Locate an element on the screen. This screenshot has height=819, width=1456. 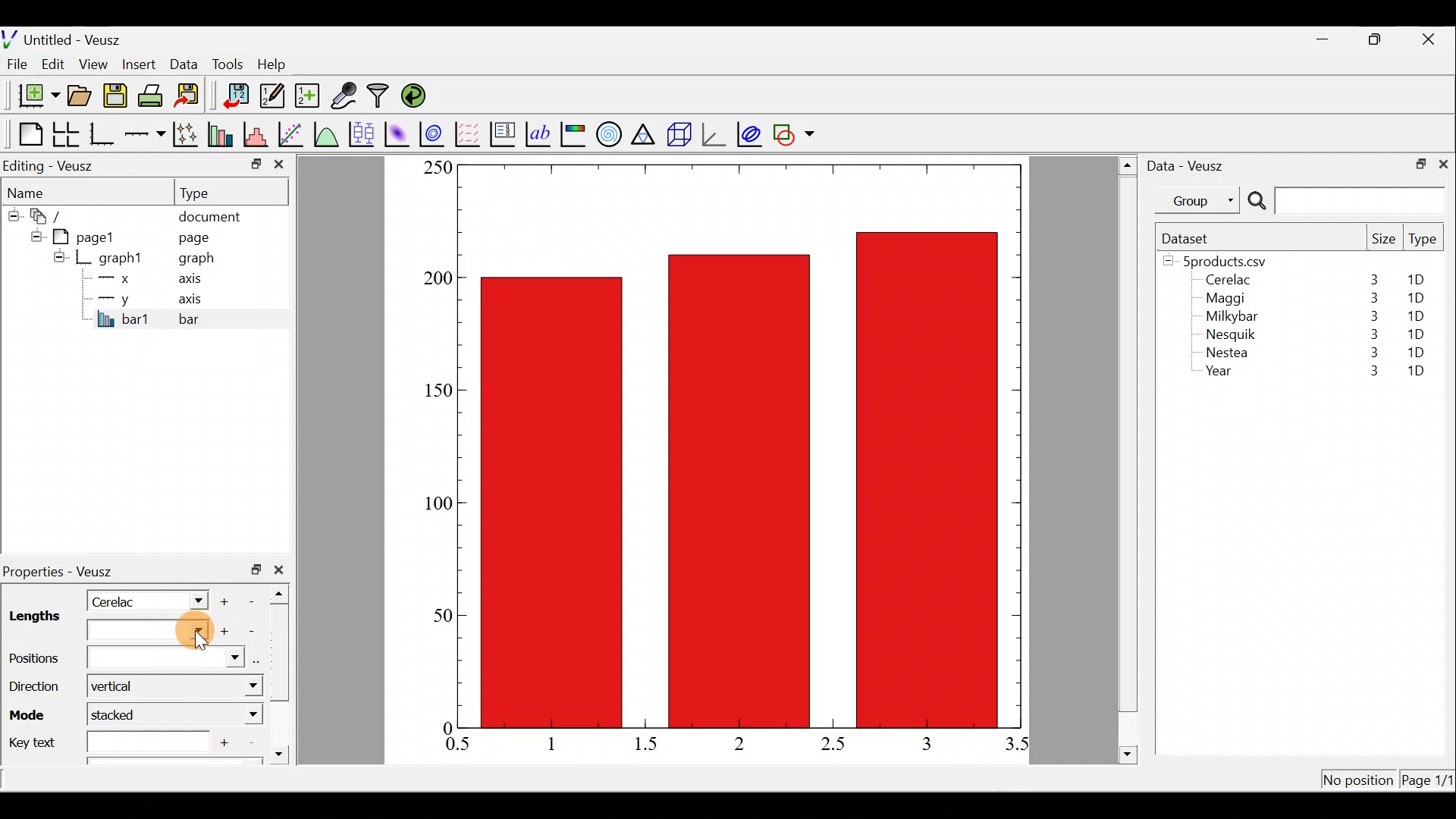
bar is located at coordinates (214, 318).